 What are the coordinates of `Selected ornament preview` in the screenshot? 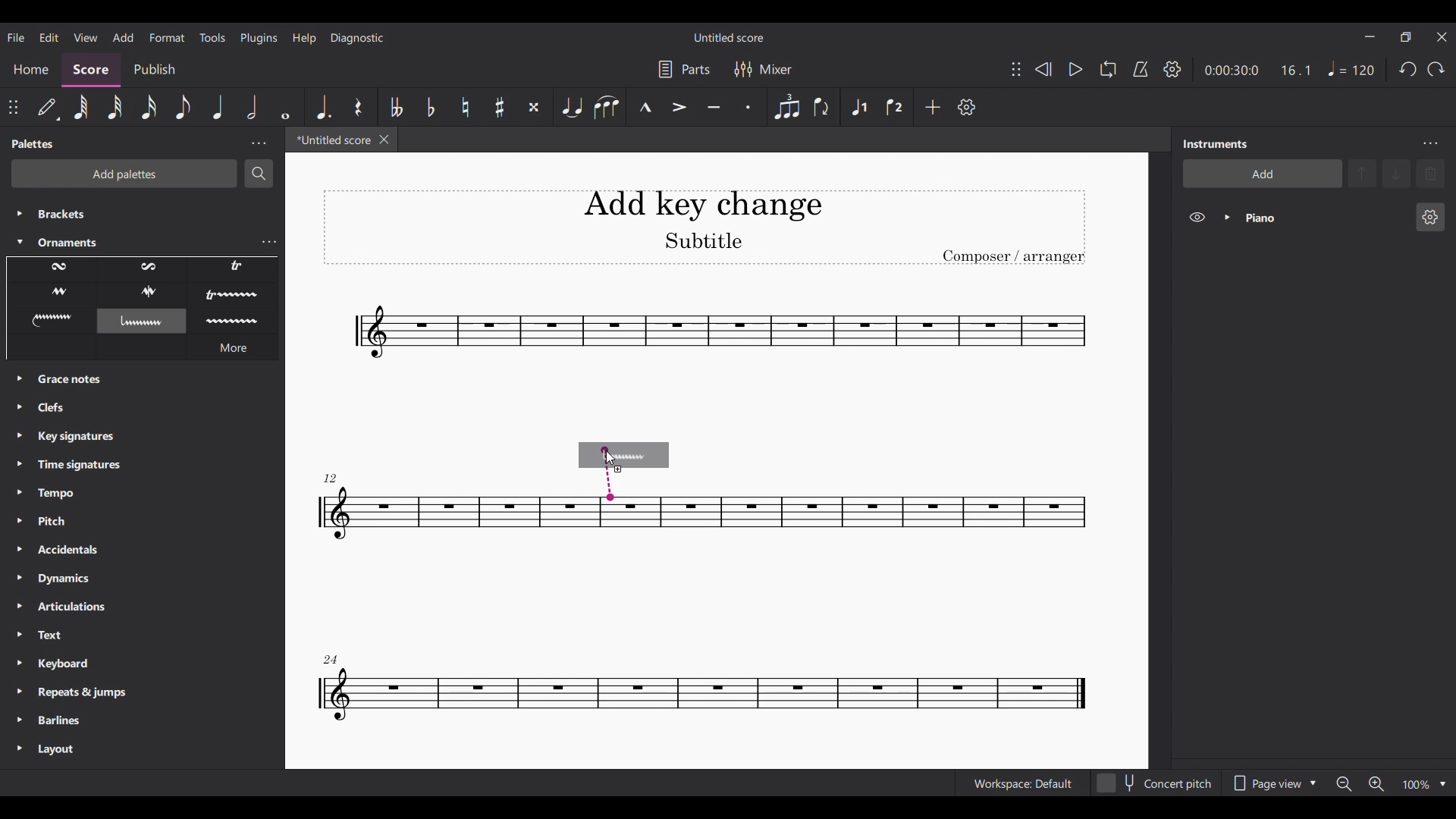 It's located at (642, 456).